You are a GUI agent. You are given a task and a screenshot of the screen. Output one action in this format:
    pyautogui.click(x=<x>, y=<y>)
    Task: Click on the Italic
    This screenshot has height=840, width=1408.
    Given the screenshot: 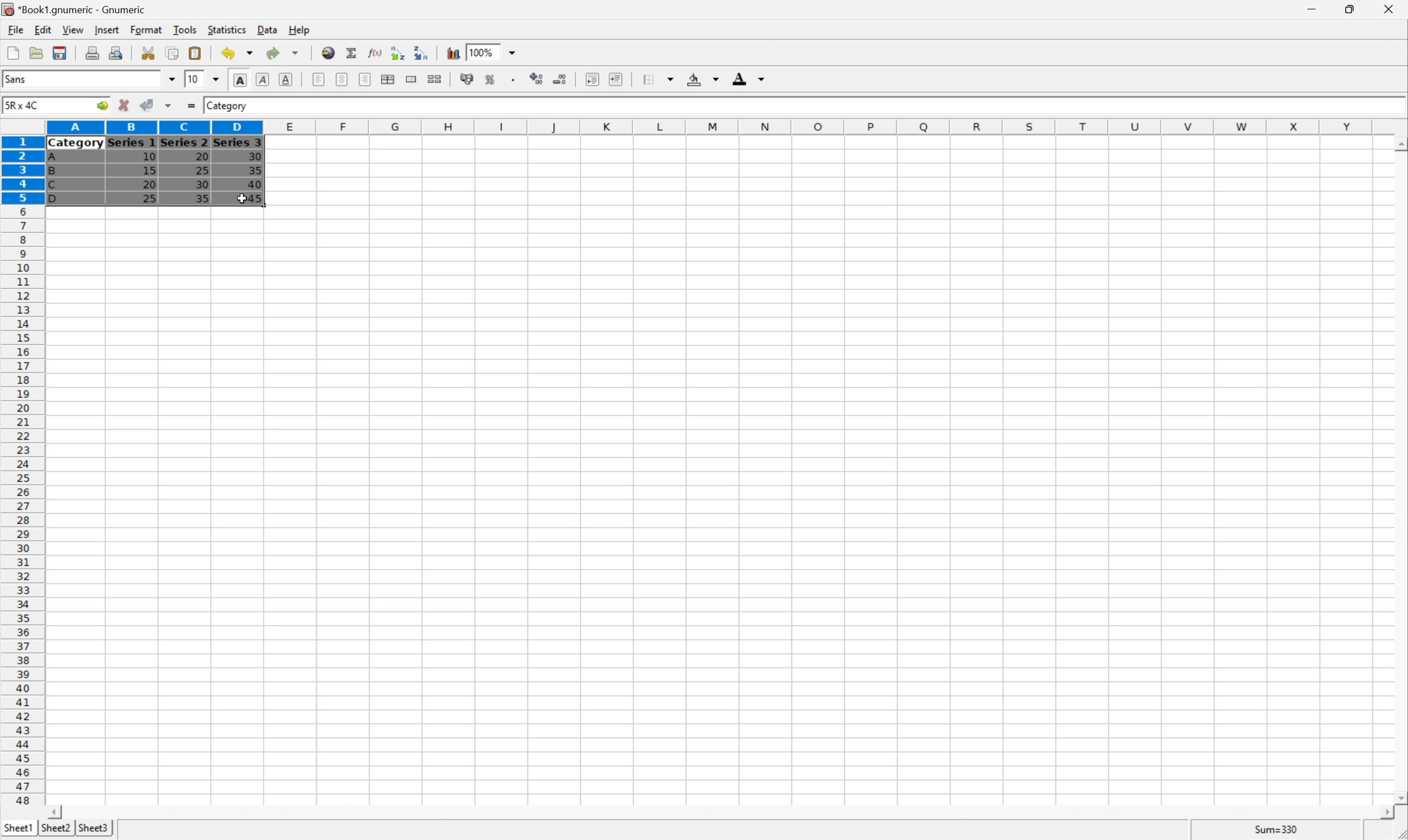 What is the action you would take?
    pyautogui.click(x=262, y=79)
    